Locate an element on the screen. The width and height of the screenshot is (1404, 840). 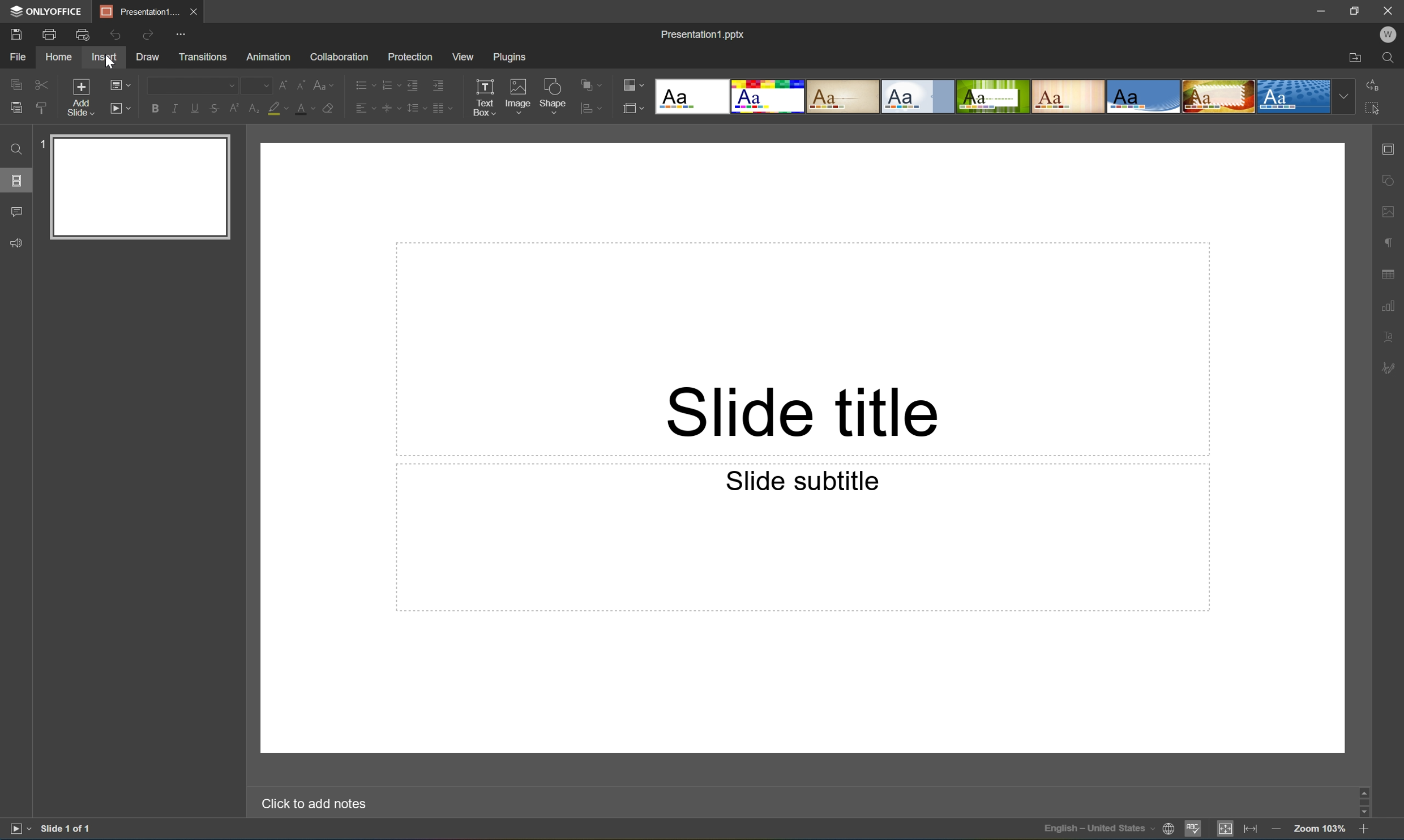
Paragraph settings is located at coordinates (1391, 243).